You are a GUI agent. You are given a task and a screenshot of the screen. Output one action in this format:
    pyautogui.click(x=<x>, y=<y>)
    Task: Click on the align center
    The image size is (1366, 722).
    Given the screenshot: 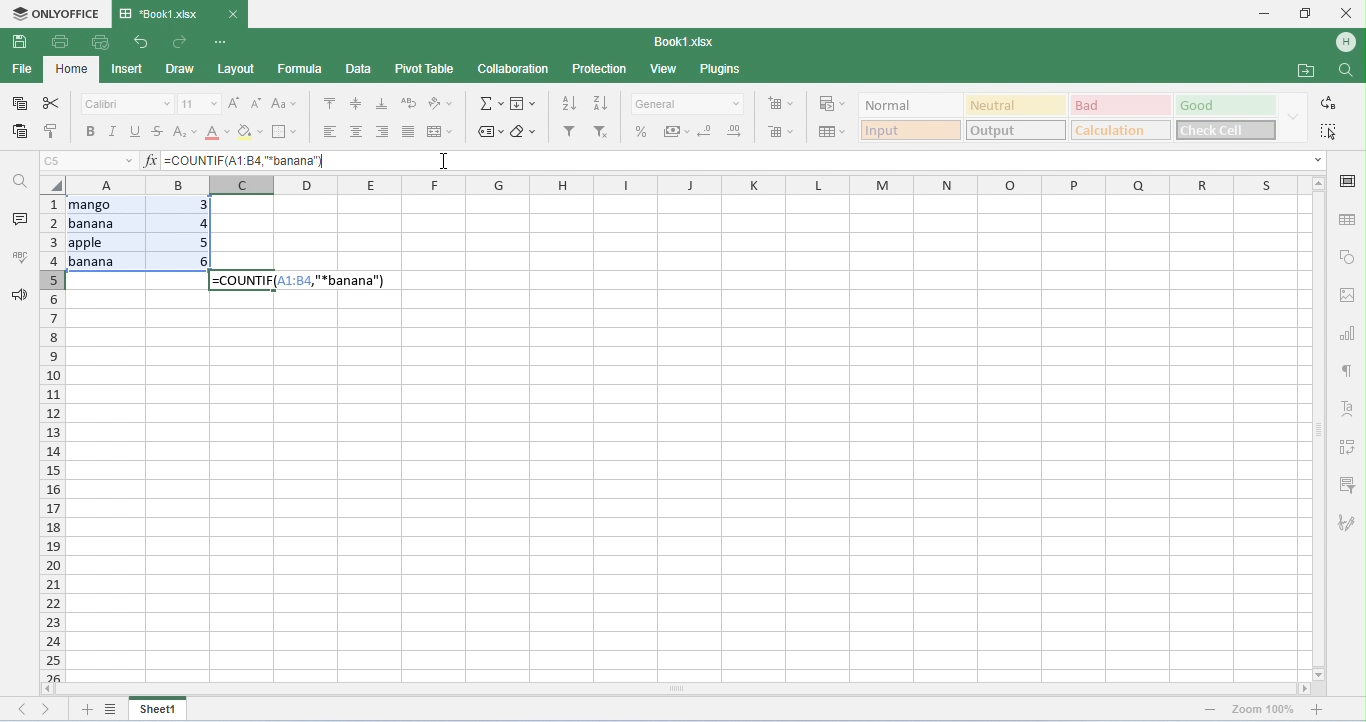 What is the action you would take?
    pyautogui.click(x=359, y=132)
    